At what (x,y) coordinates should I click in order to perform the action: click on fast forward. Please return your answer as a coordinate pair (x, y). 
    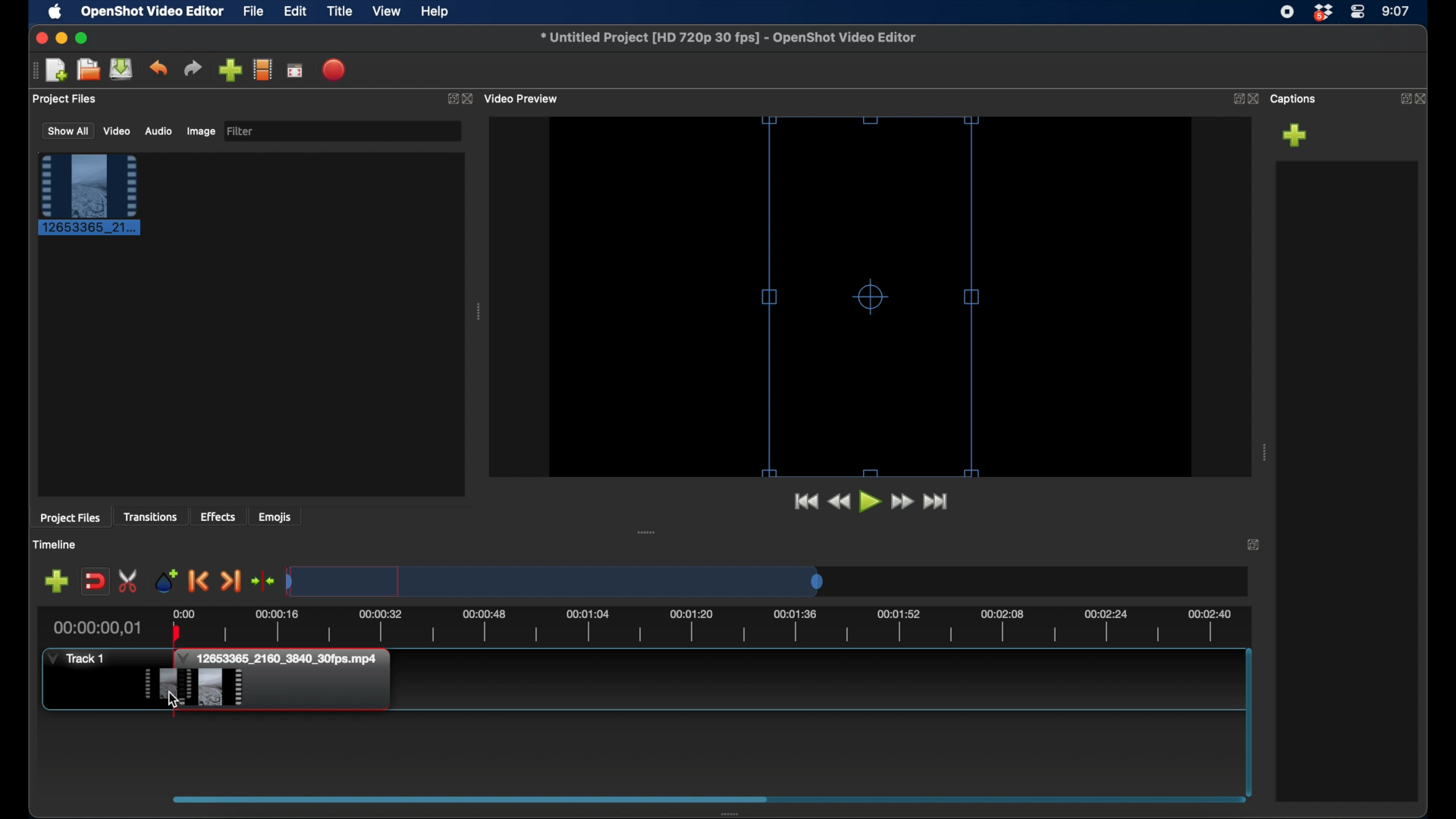
    Looking at the image, I should click on (903, 501).